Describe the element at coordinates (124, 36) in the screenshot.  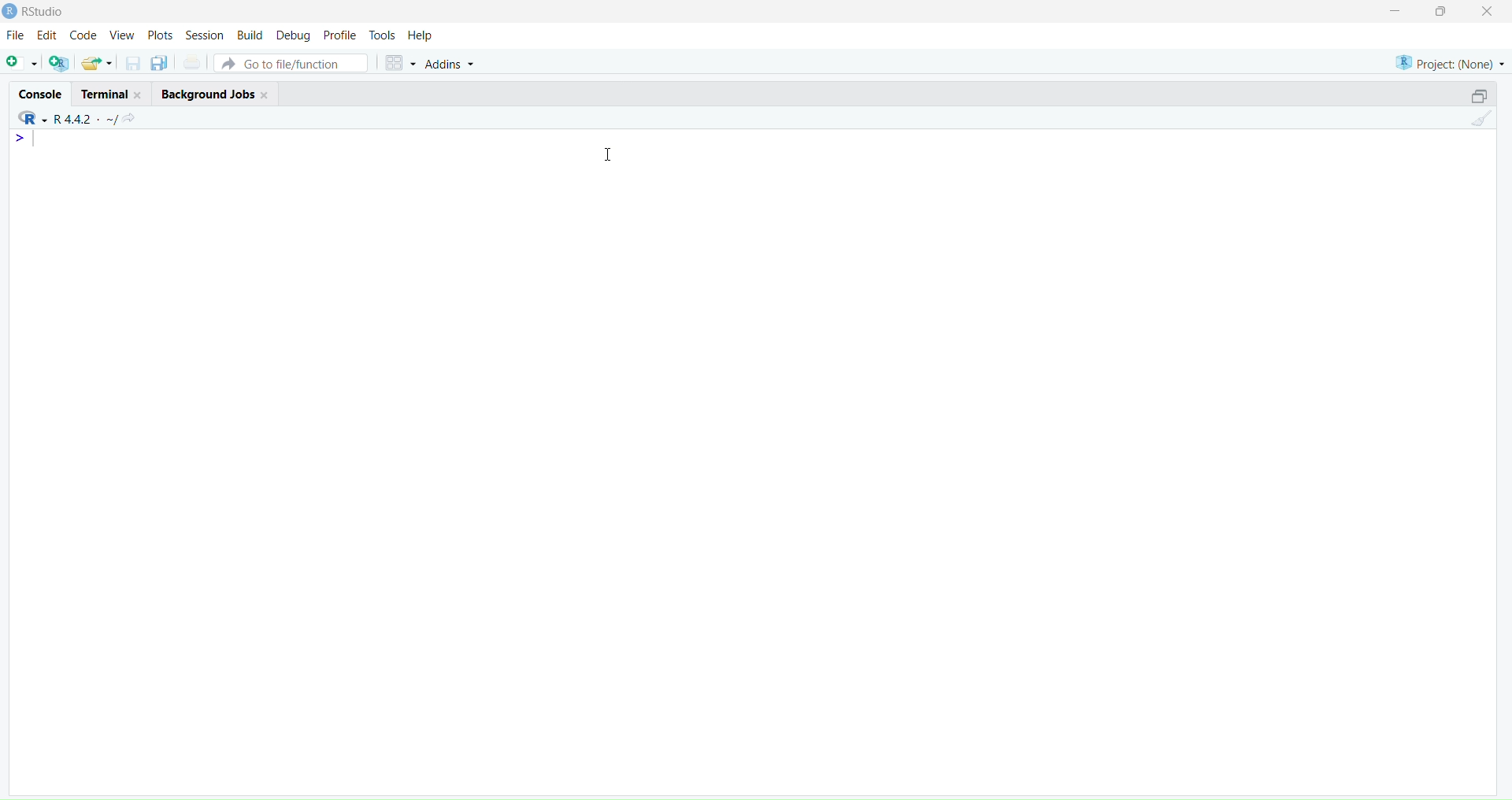
I see `View` at that location.